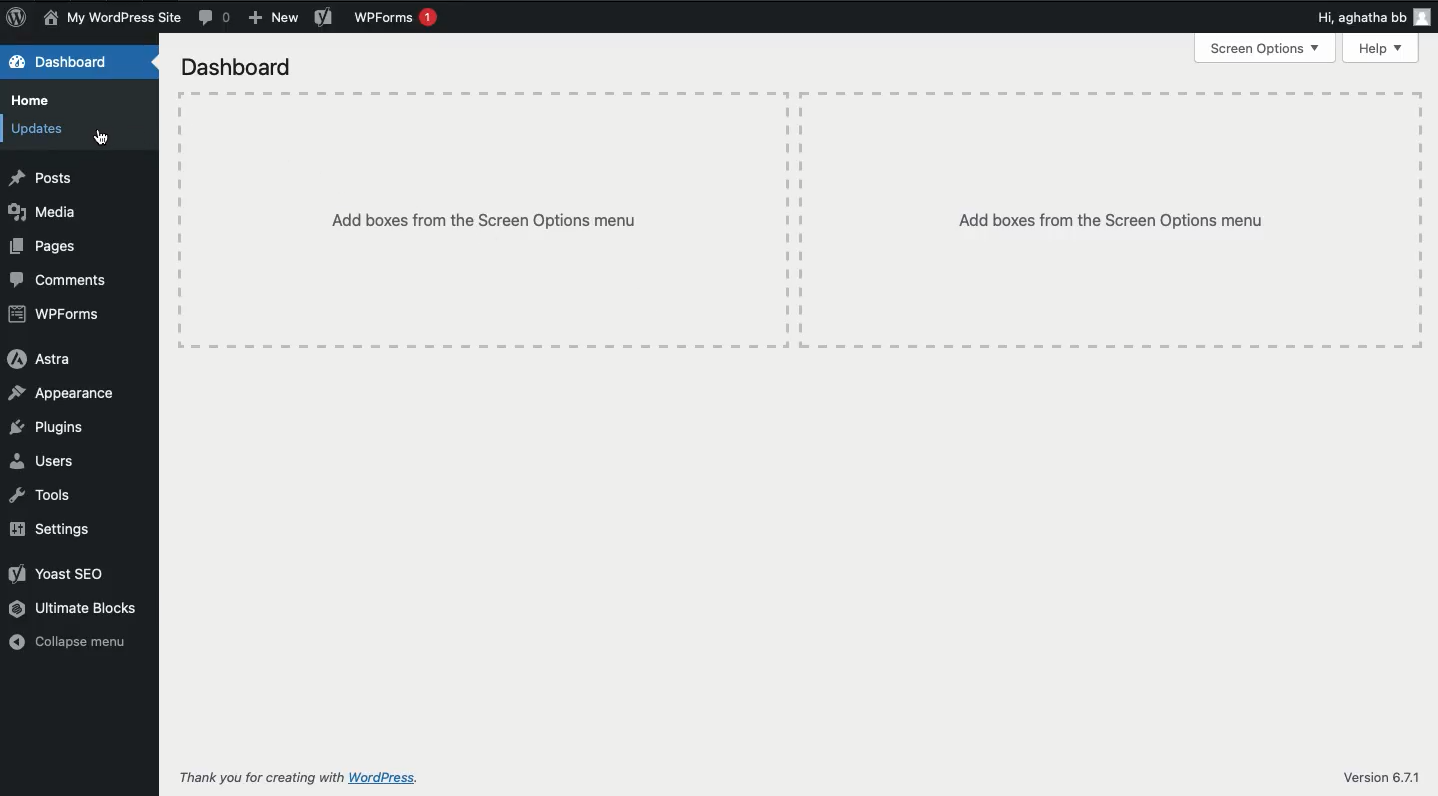 The image size is (1438, 796). Describe the element at coordinates (35, 102) in the screenshot. I see `Home` at that location.